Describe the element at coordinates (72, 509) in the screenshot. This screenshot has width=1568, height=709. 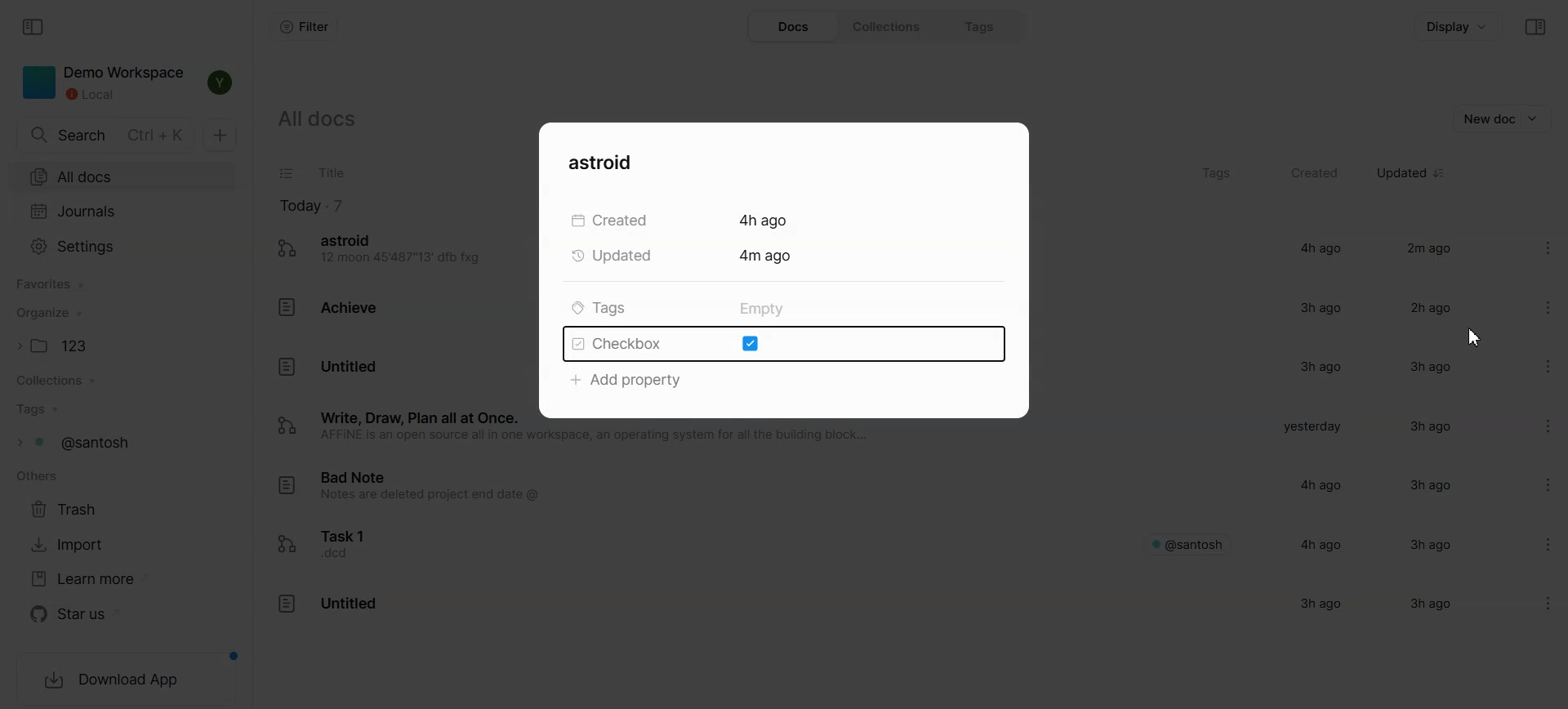
I see `Trash` at that location.